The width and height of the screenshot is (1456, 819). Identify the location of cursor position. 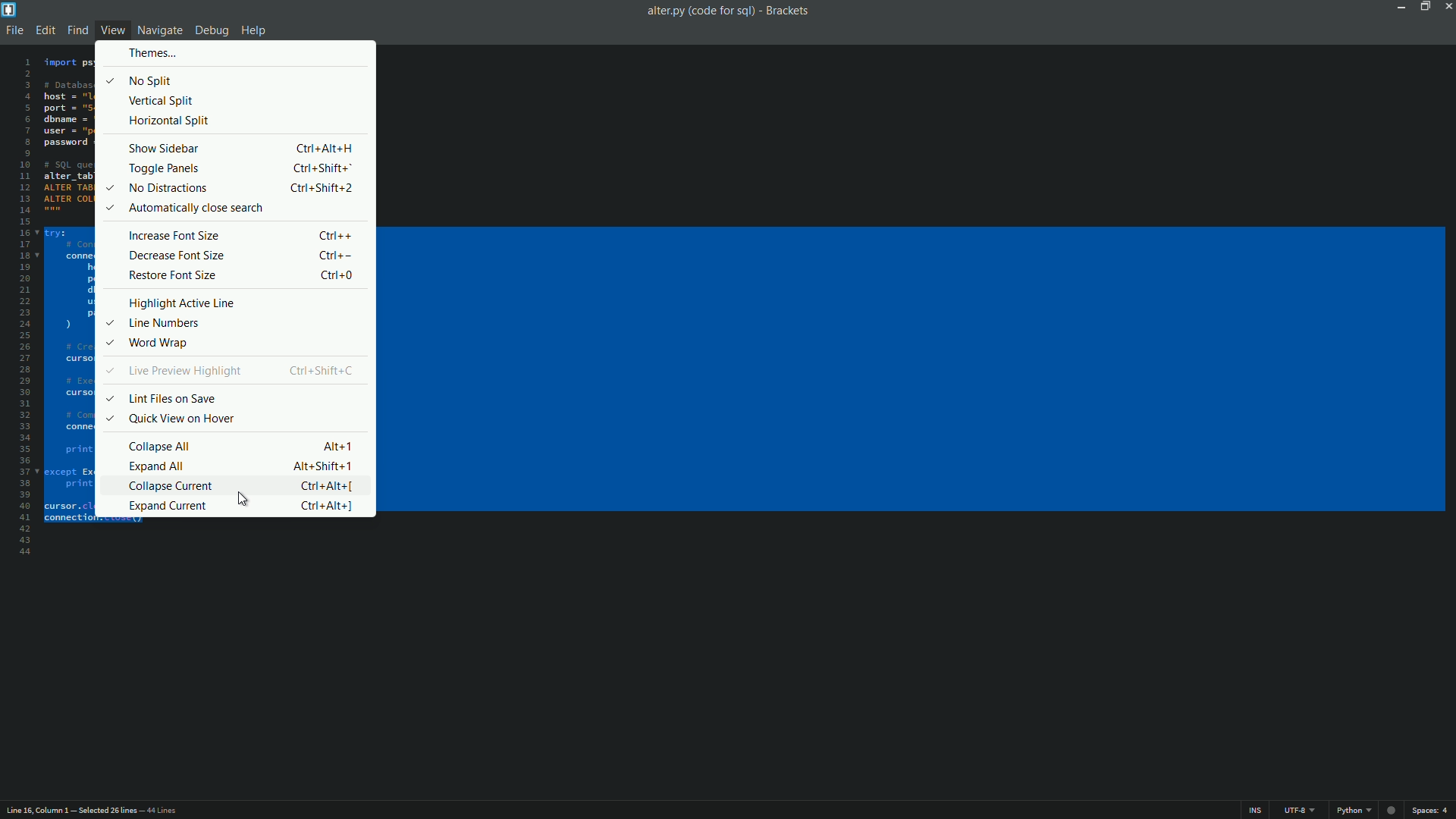
(39, 809).